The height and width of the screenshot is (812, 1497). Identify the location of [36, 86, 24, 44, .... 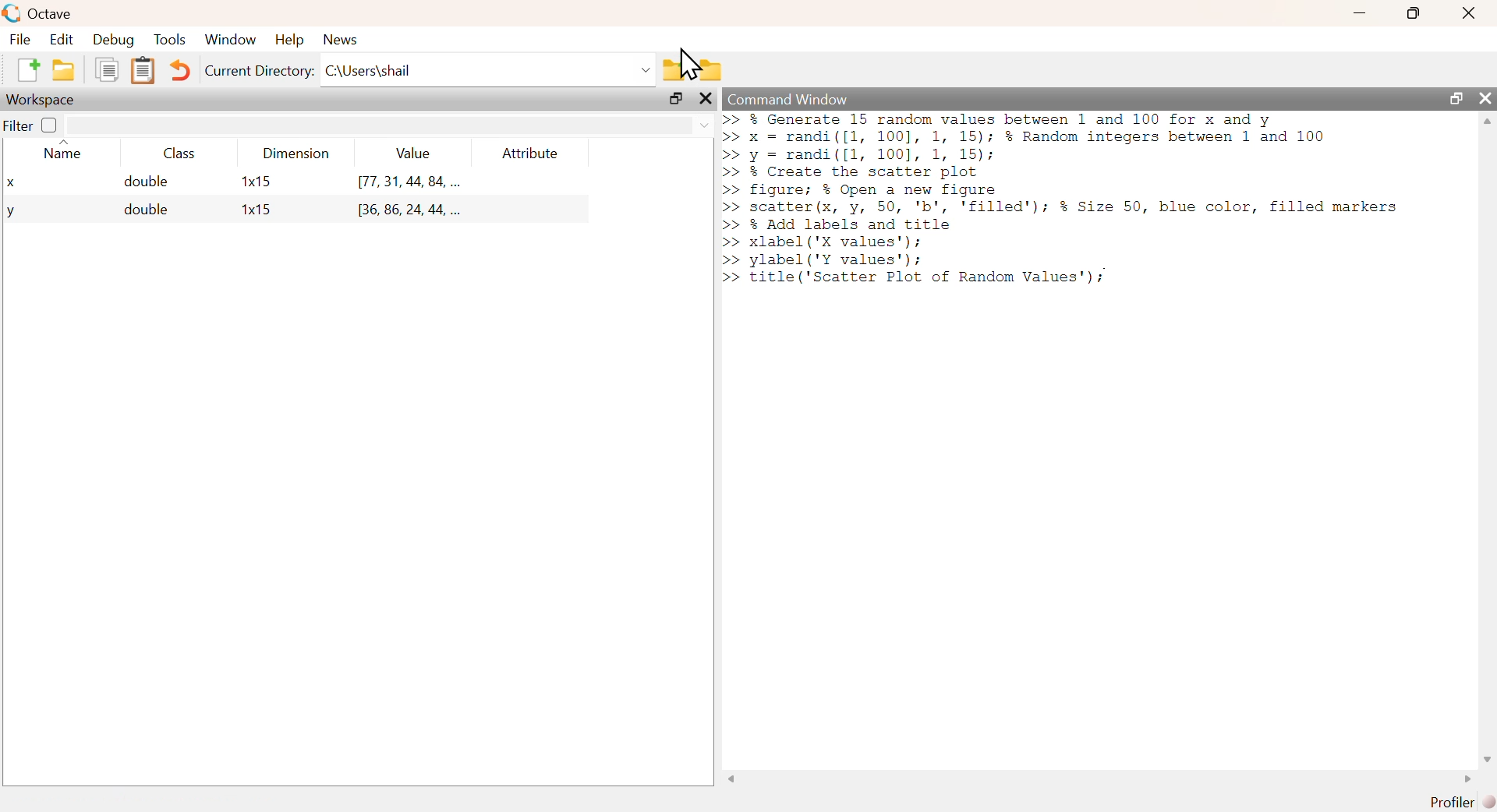
(412, 210).